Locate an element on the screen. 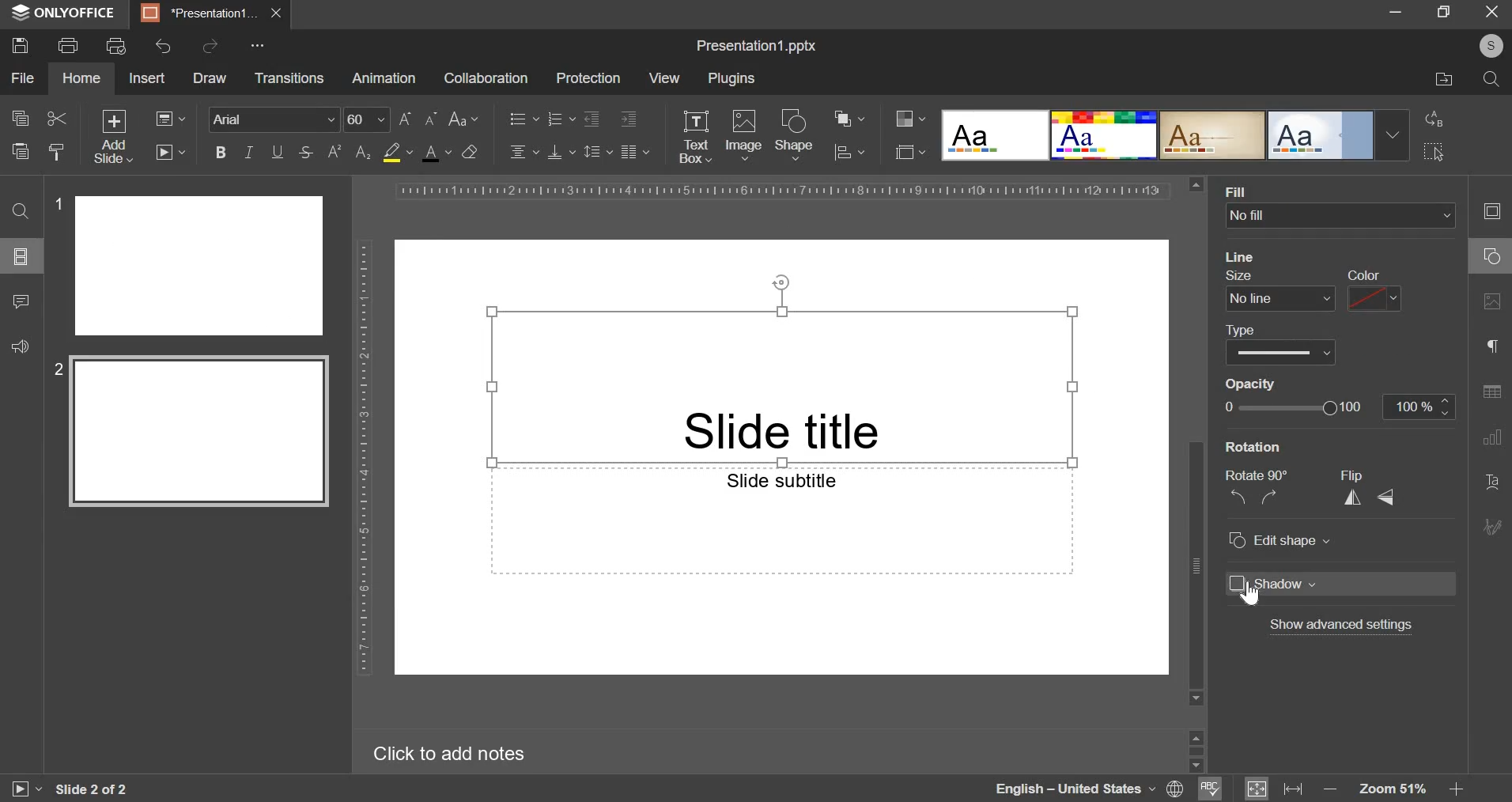  close is located at coordinates (276, 13).